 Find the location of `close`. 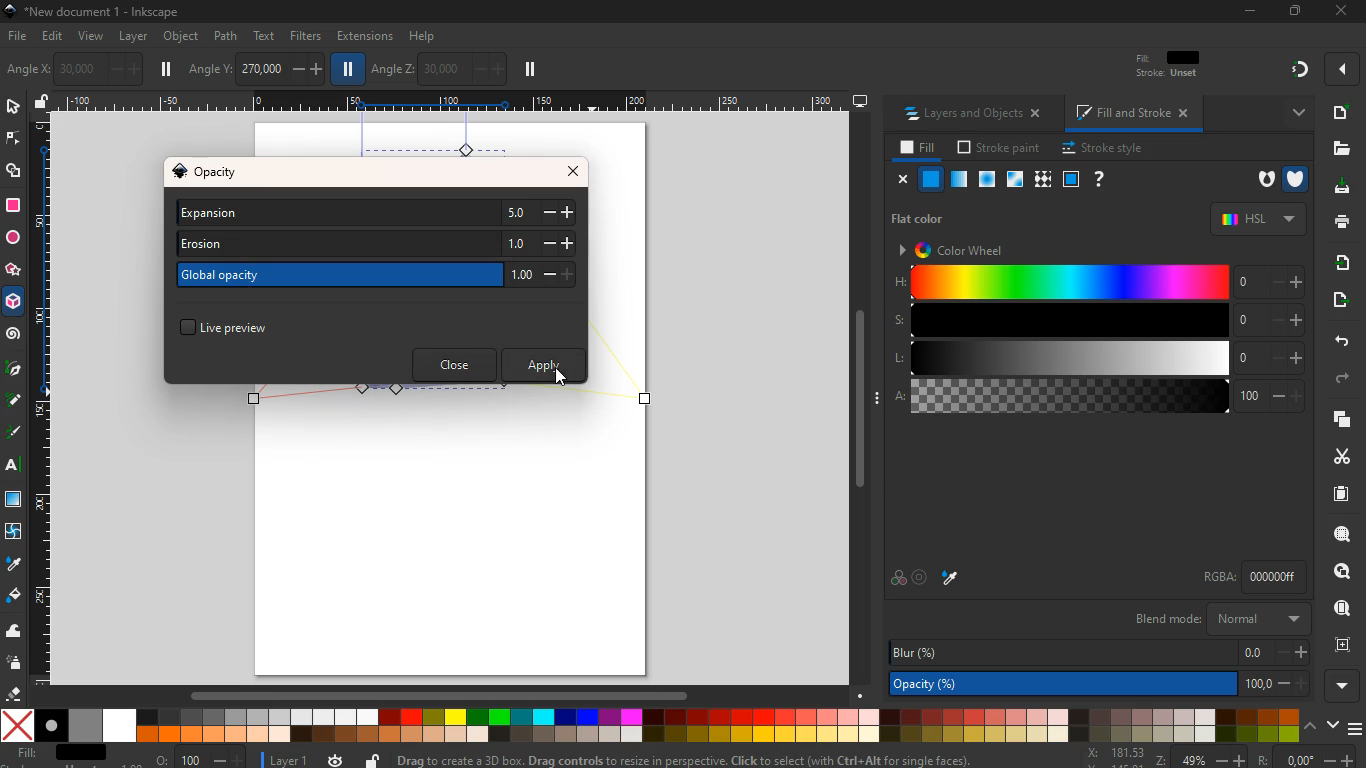

close is located at coordinates (1339, 12).